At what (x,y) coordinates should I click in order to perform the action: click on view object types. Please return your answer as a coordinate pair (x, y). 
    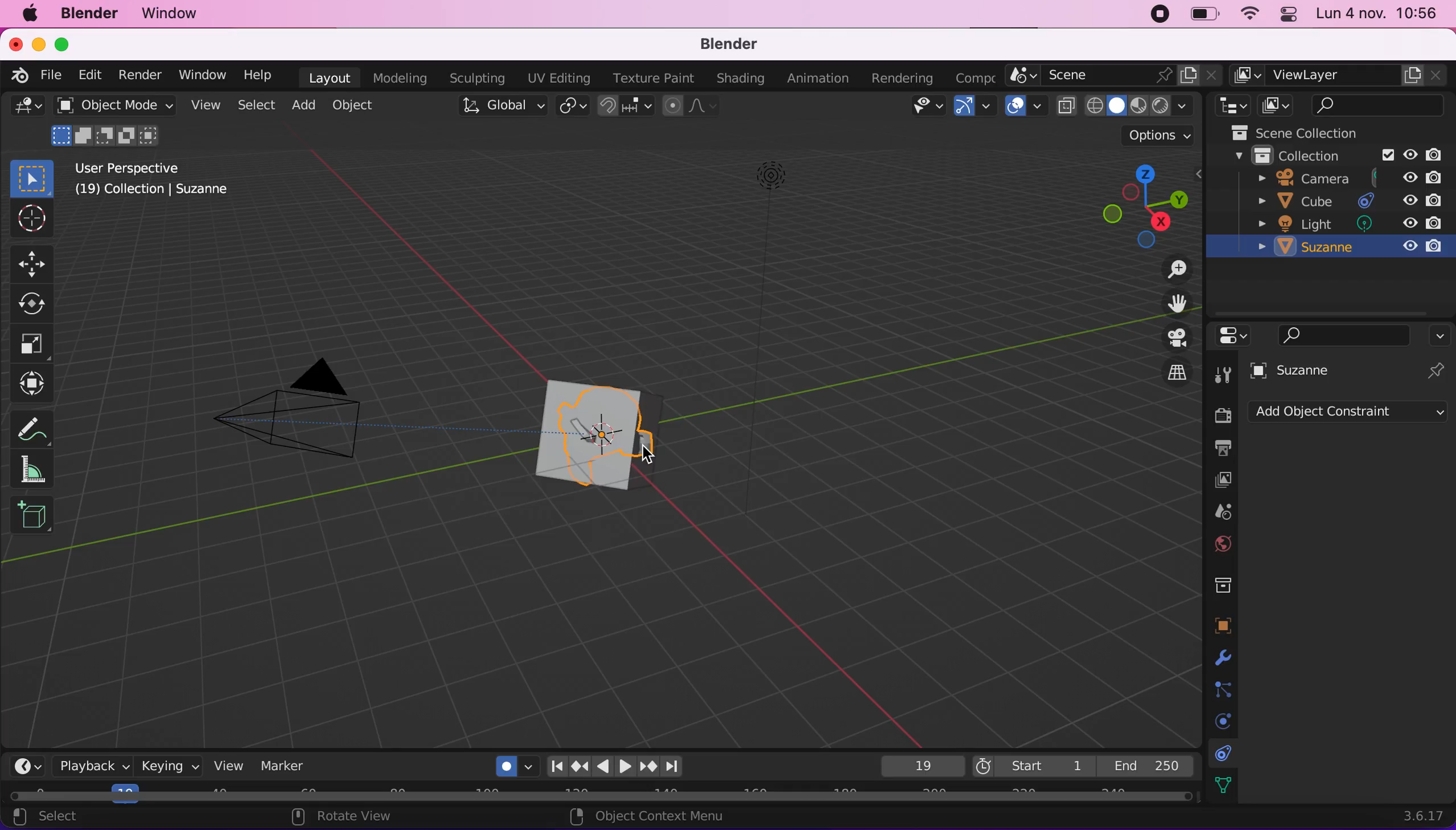
    Looking at the image, I should click on (924, 108).